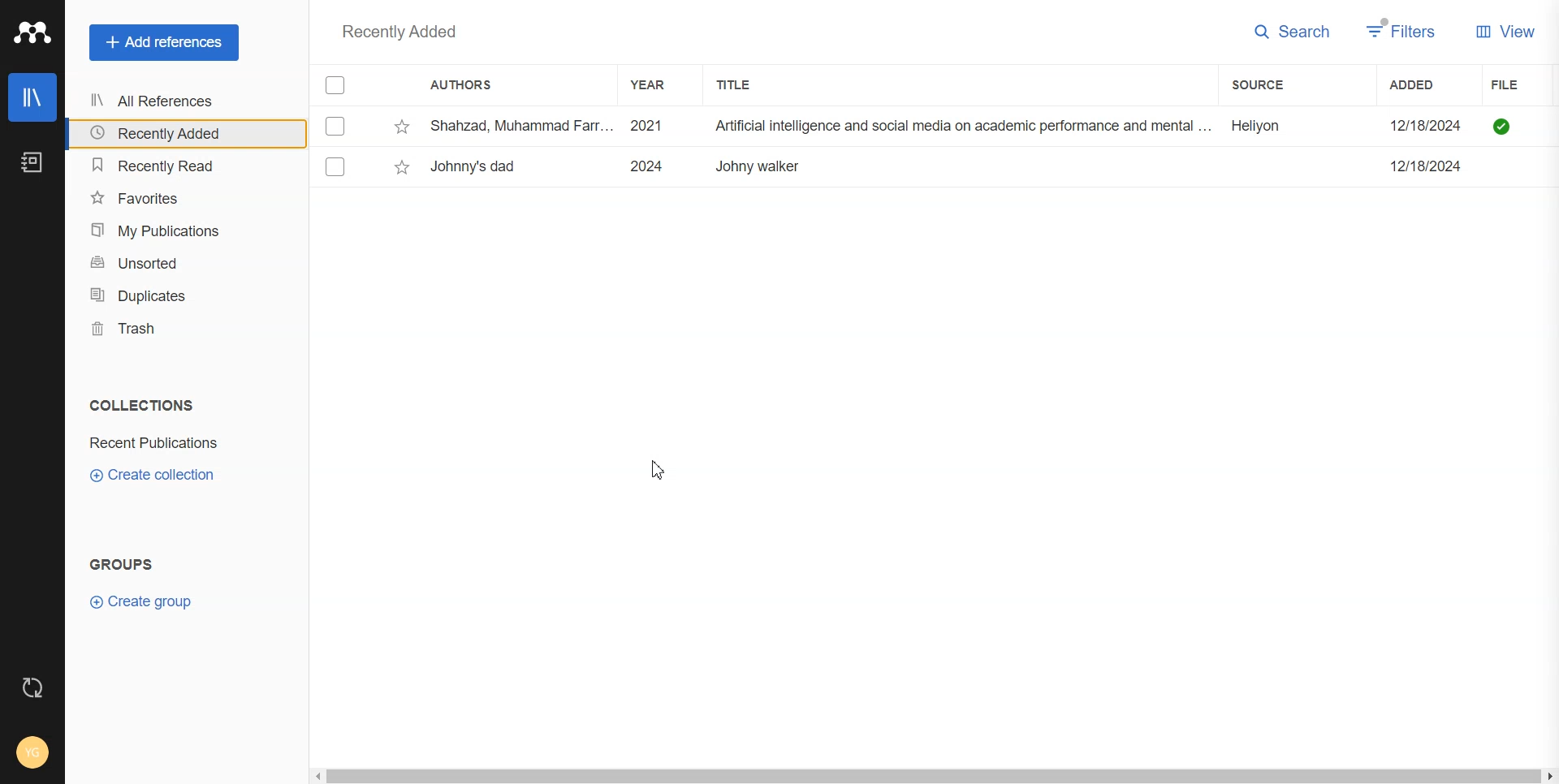 This screenshot has height=784, width=1559. Describe the element at coordinates (132, 563) in the screenshot. I see `GROUPS` at that location.